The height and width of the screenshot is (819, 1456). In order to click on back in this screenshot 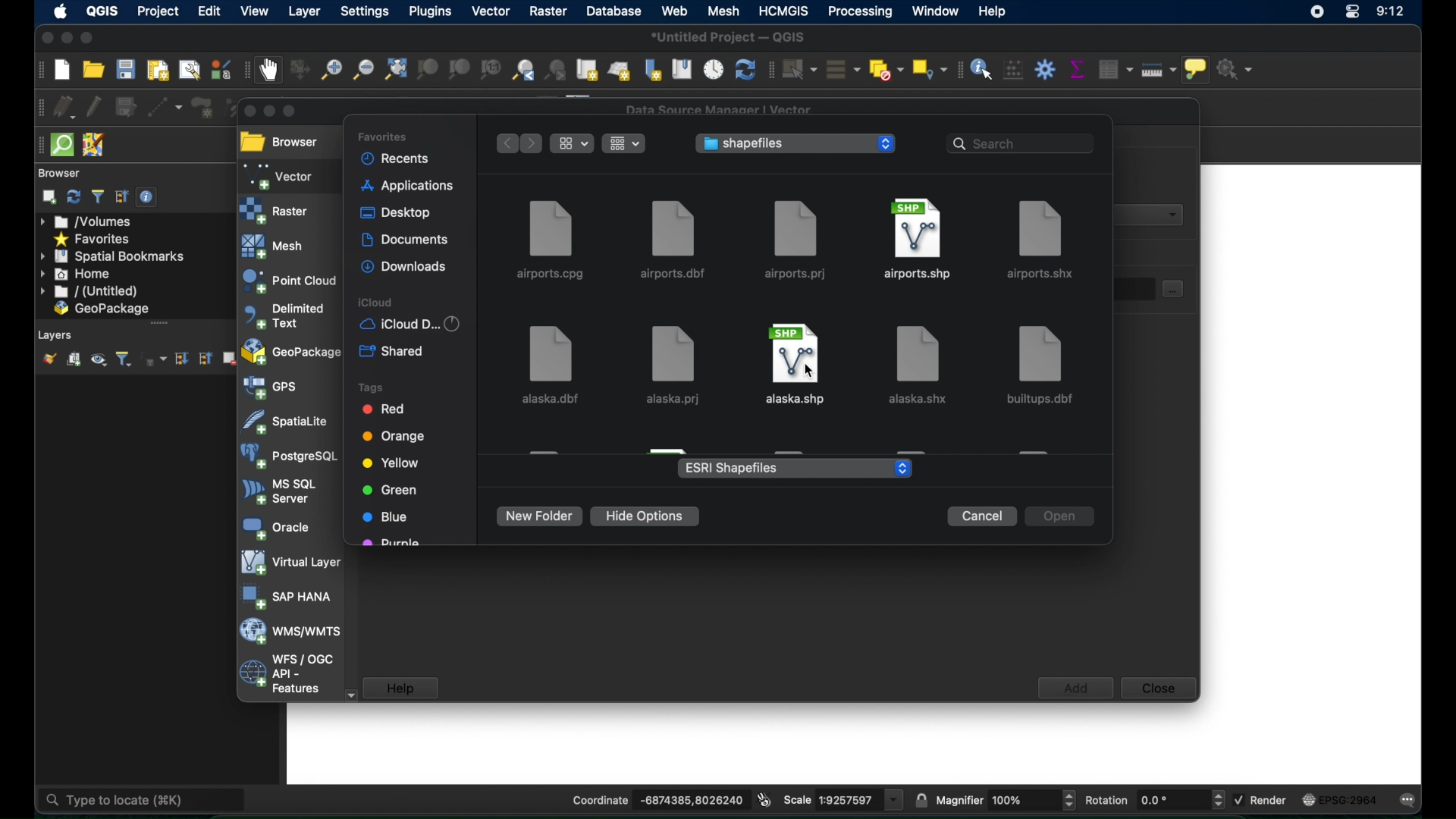, I will do `click(506, 143)`.